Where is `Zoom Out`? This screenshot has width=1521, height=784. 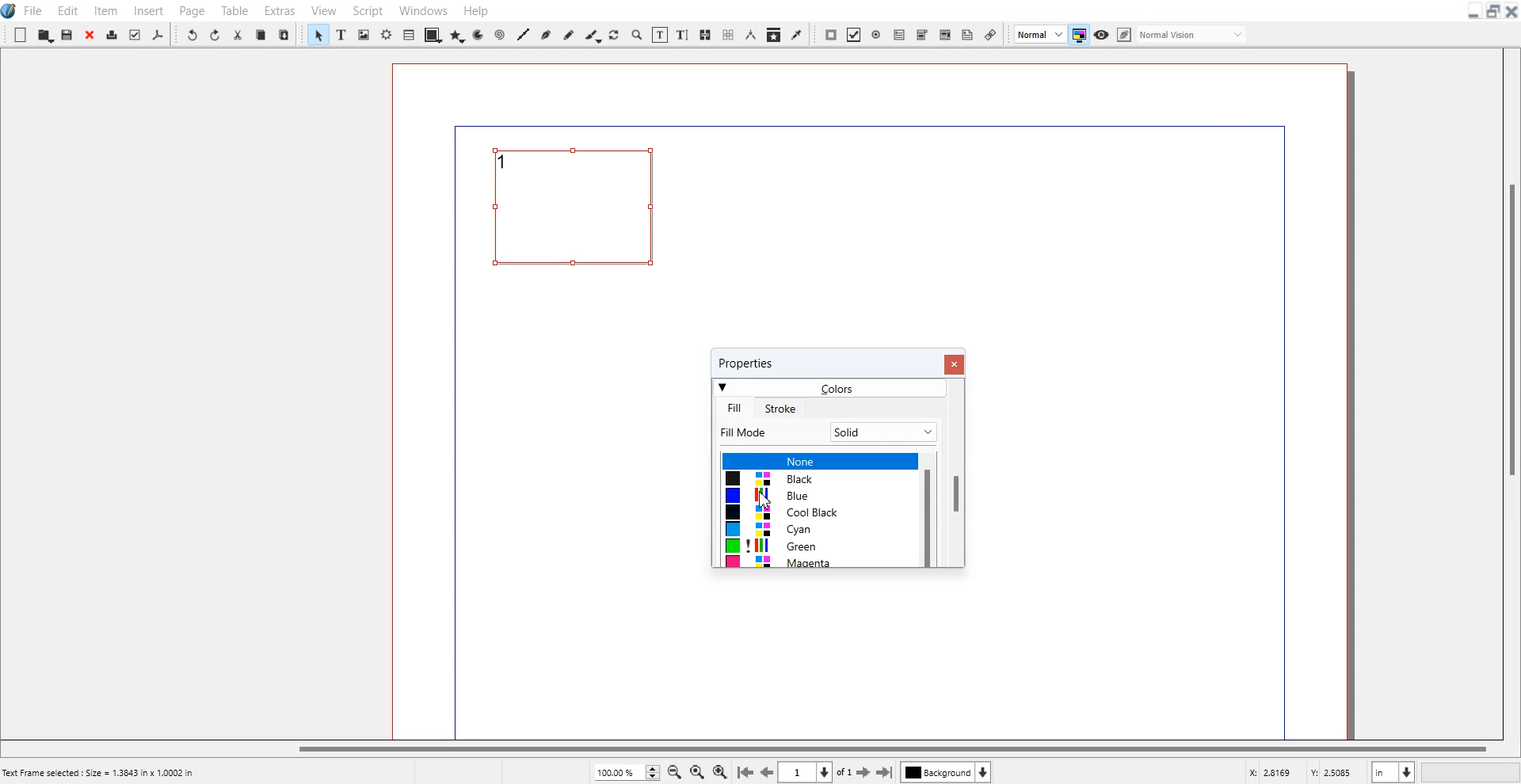
Zoom Out is located at coordinates (674, 771).